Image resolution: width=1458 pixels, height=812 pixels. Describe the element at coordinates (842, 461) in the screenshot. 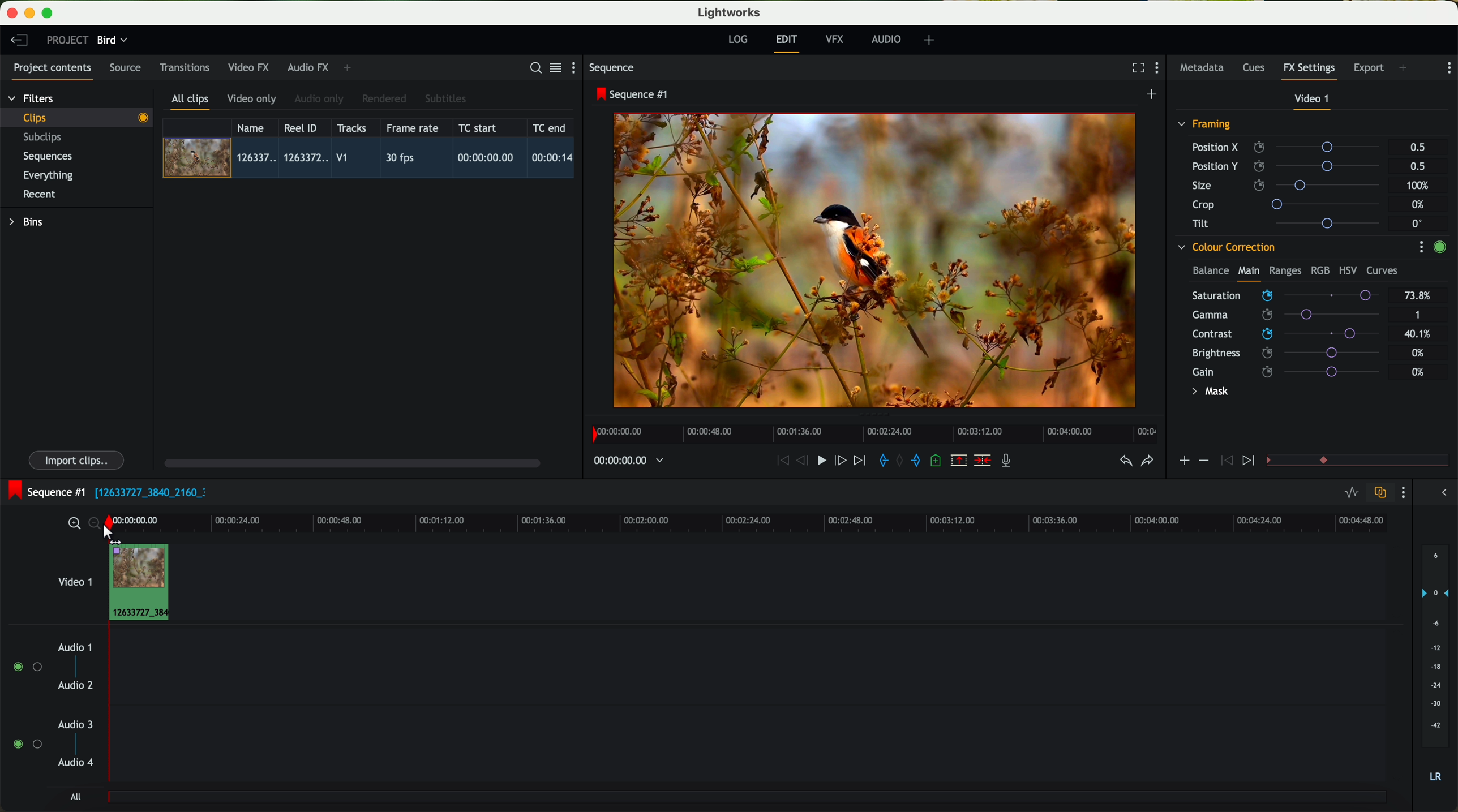

I see `nudge one frame foward` at that location.